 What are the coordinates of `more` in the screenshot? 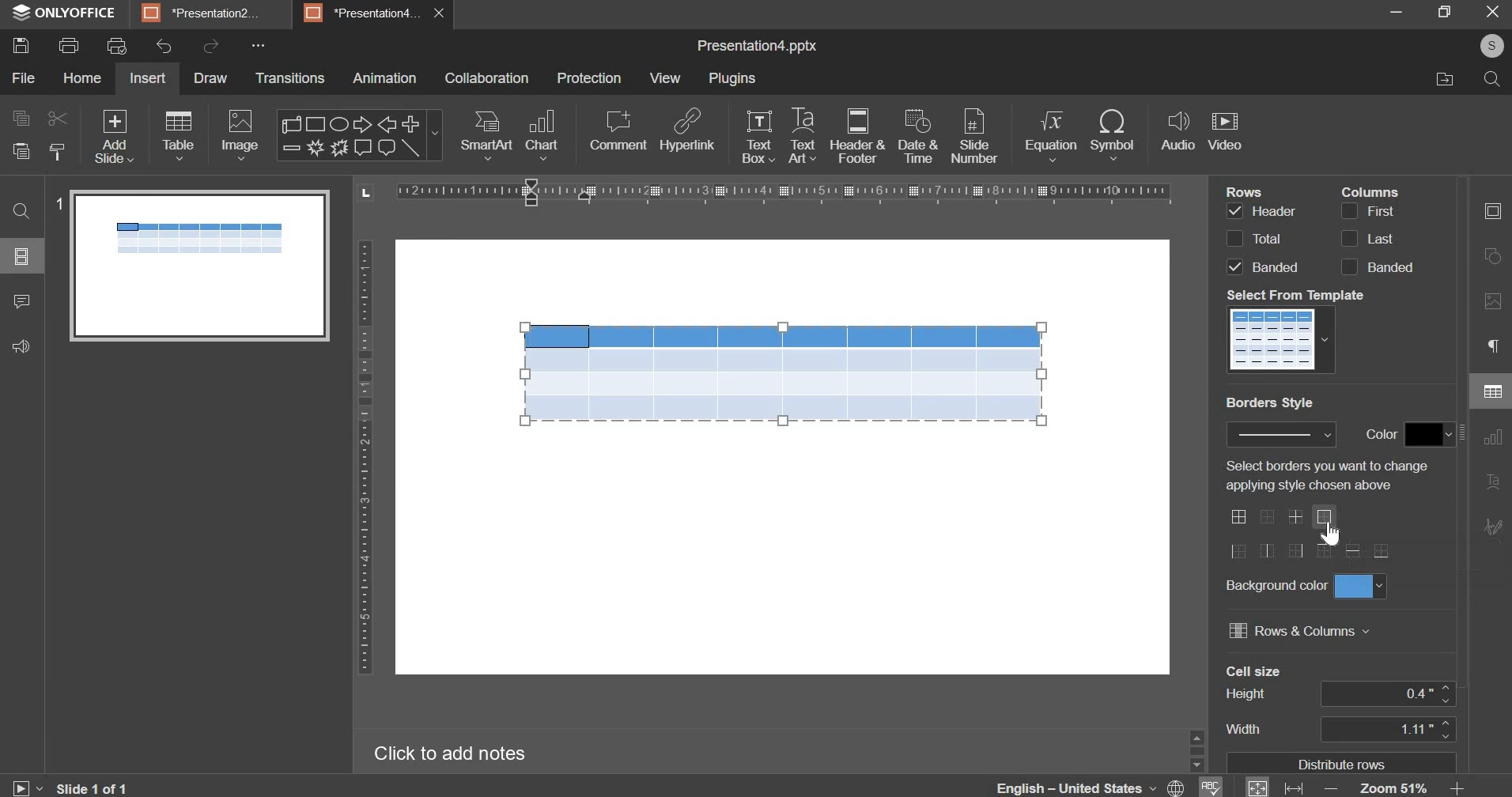 It's located at (256, 43).